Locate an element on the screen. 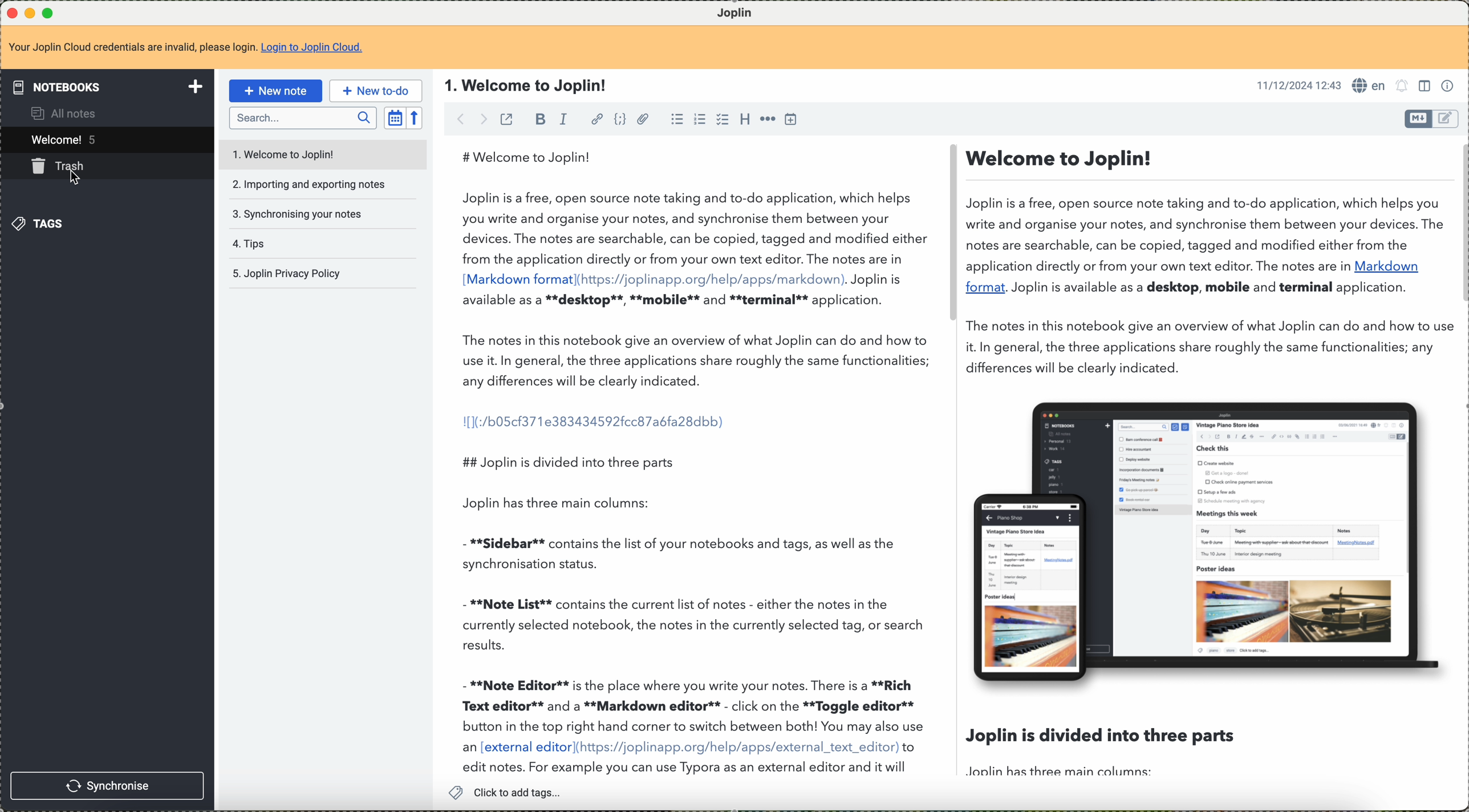  attach file is located at coordinates (646, 120).